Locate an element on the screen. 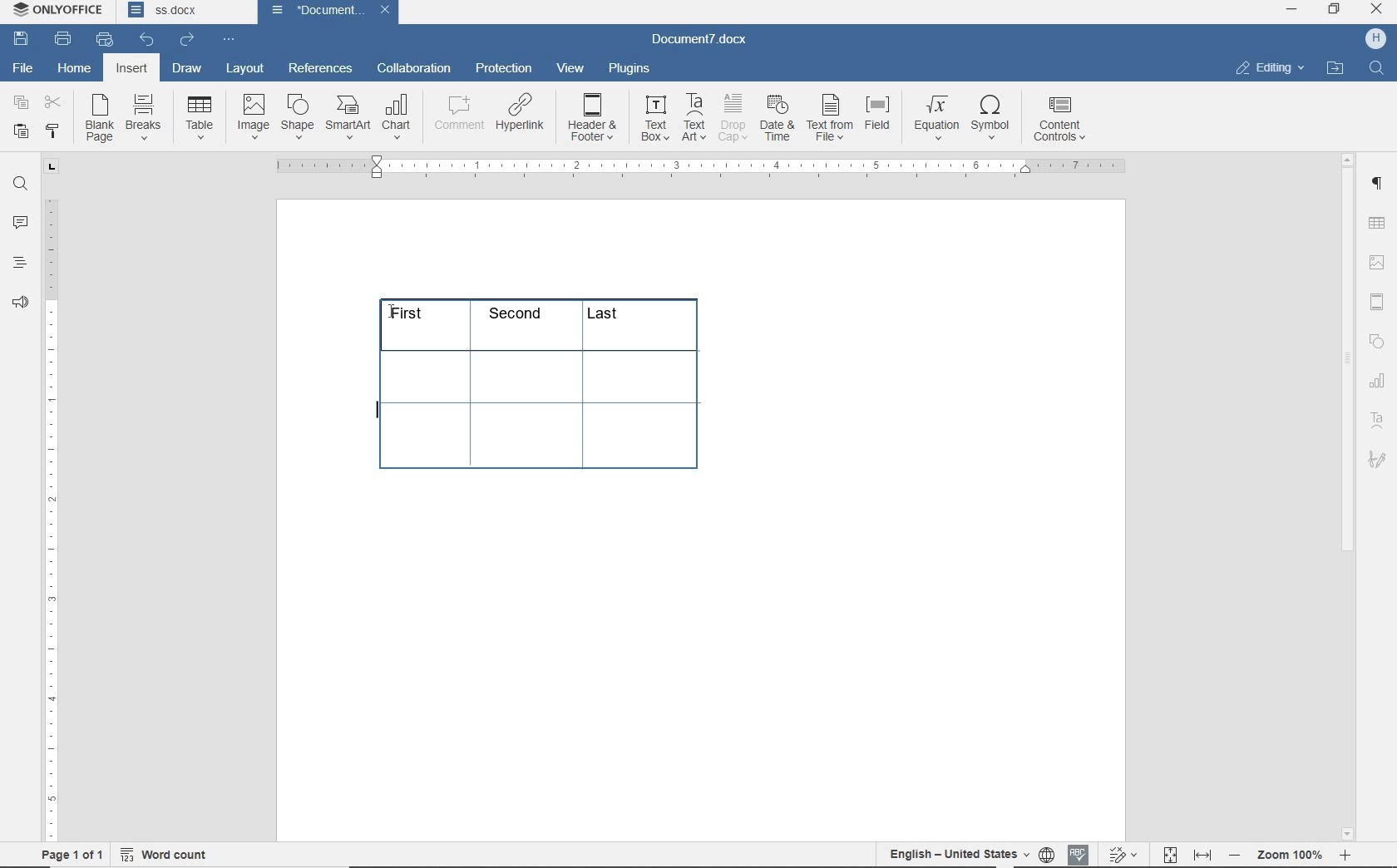 The width and height of the screenshot is (1397, 868). view is located at coordinates (571, 69).